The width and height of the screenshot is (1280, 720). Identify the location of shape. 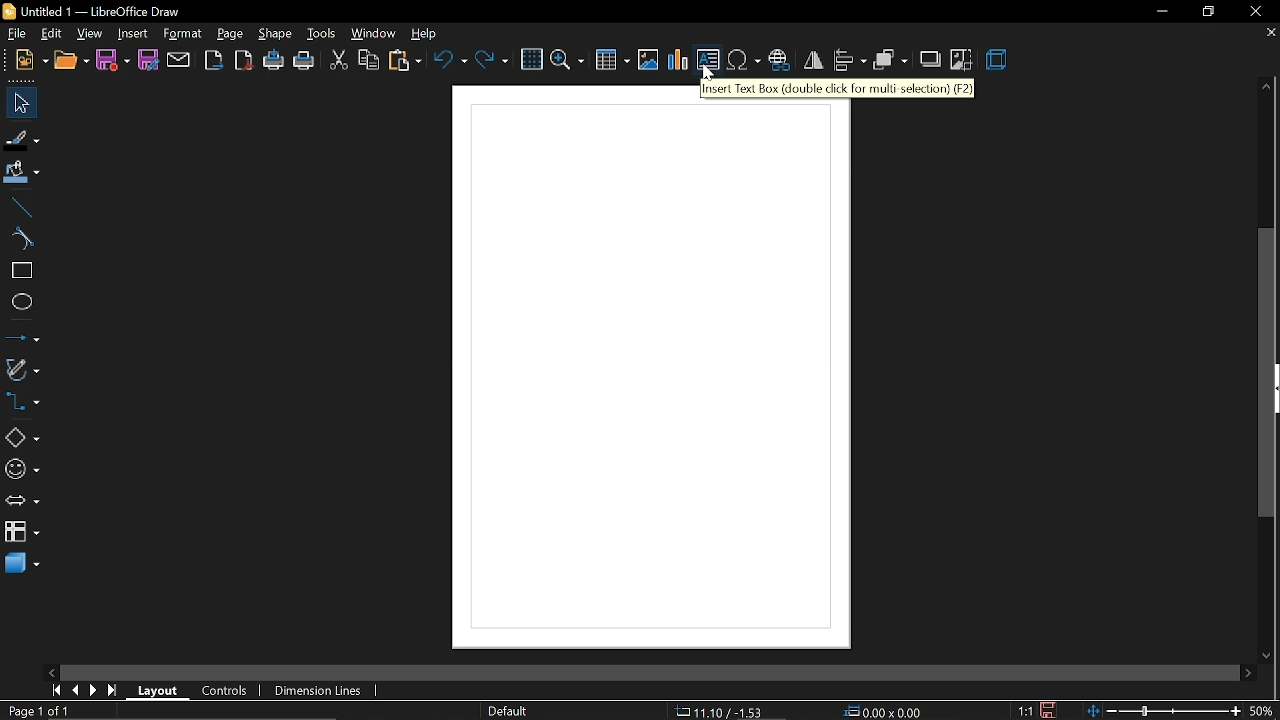
(277, 35).